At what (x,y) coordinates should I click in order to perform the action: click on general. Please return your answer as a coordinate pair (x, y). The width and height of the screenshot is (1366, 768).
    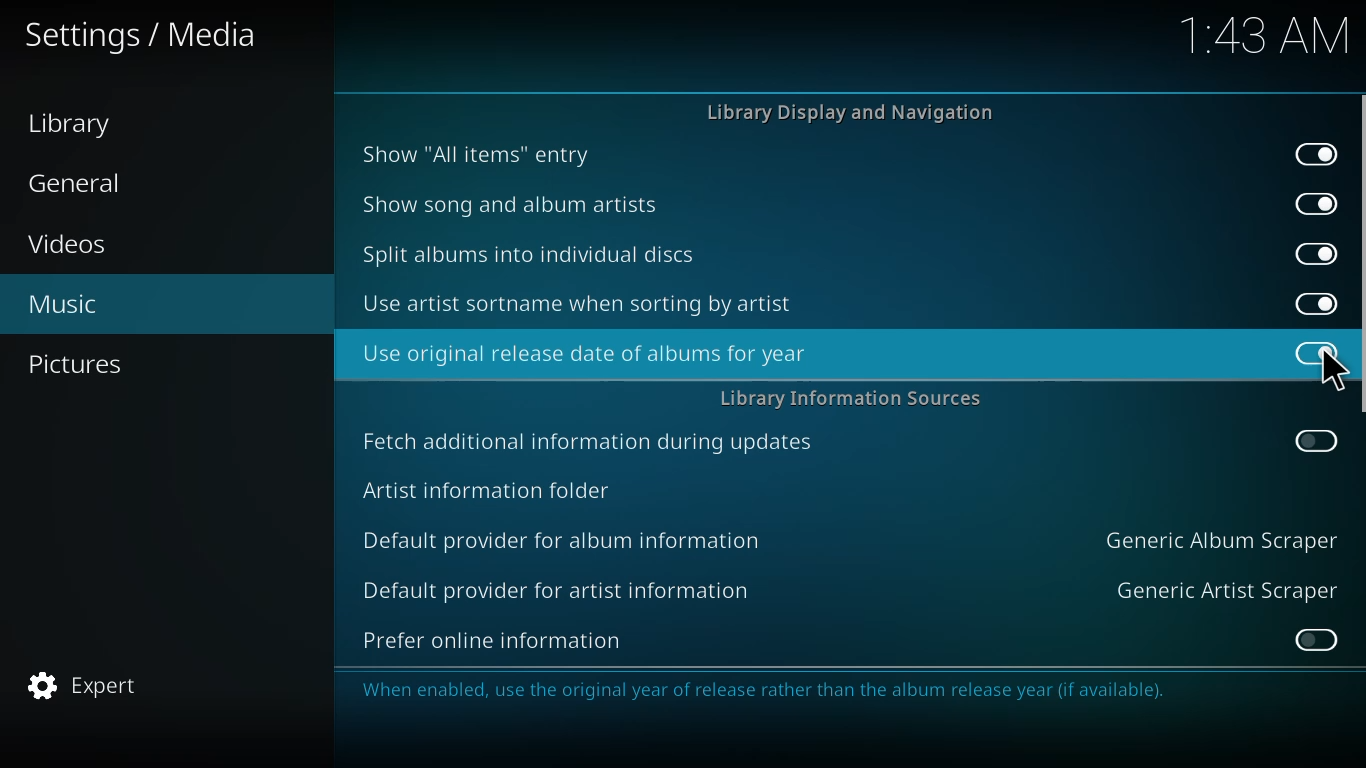
    Looking at the image, I should click on (85, 182).